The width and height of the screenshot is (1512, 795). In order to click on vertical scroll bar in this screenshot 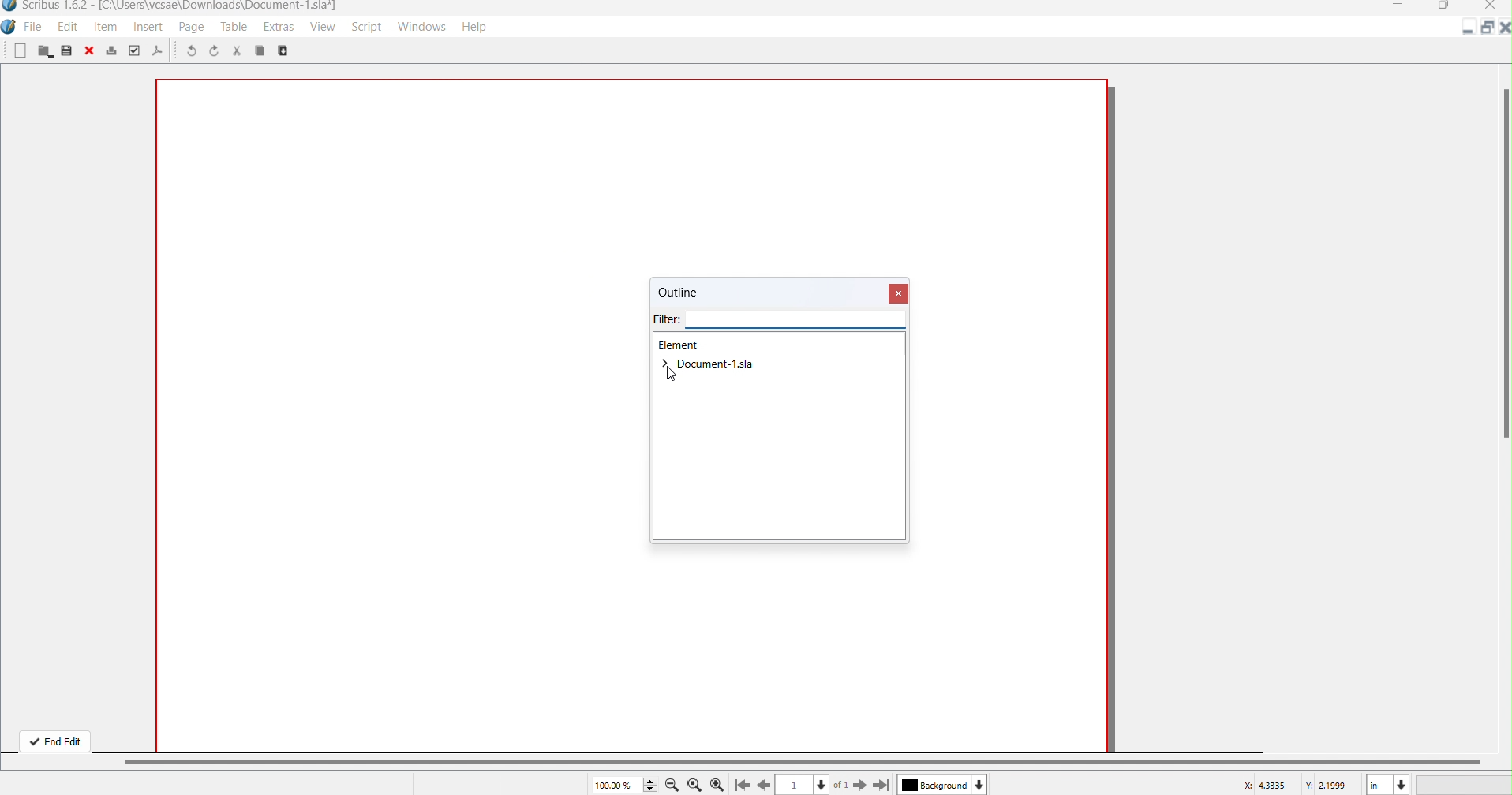, I will do `click(1503, 255)`.